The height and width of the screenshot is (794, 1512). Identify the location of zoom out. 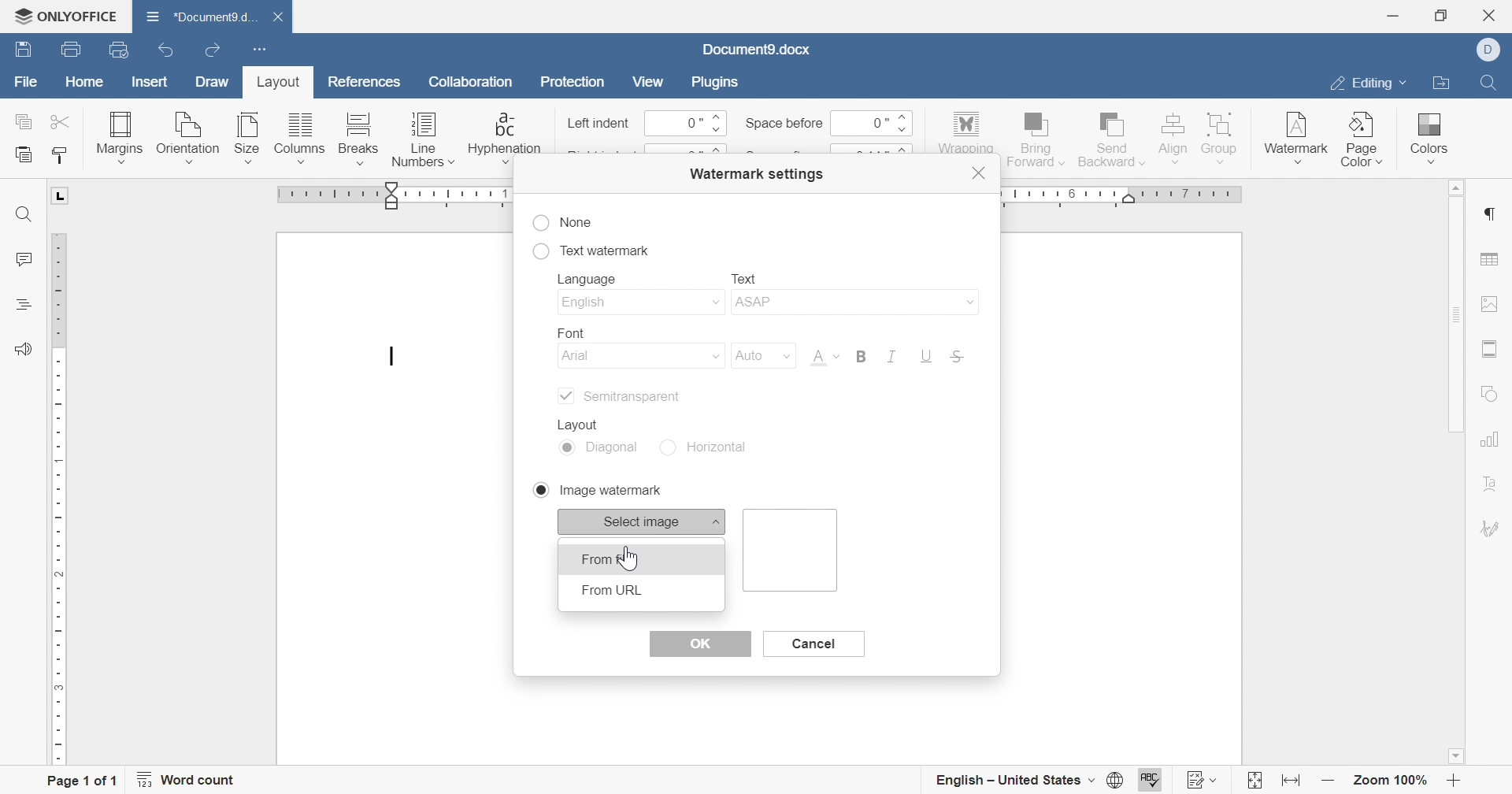
(1329, 781).